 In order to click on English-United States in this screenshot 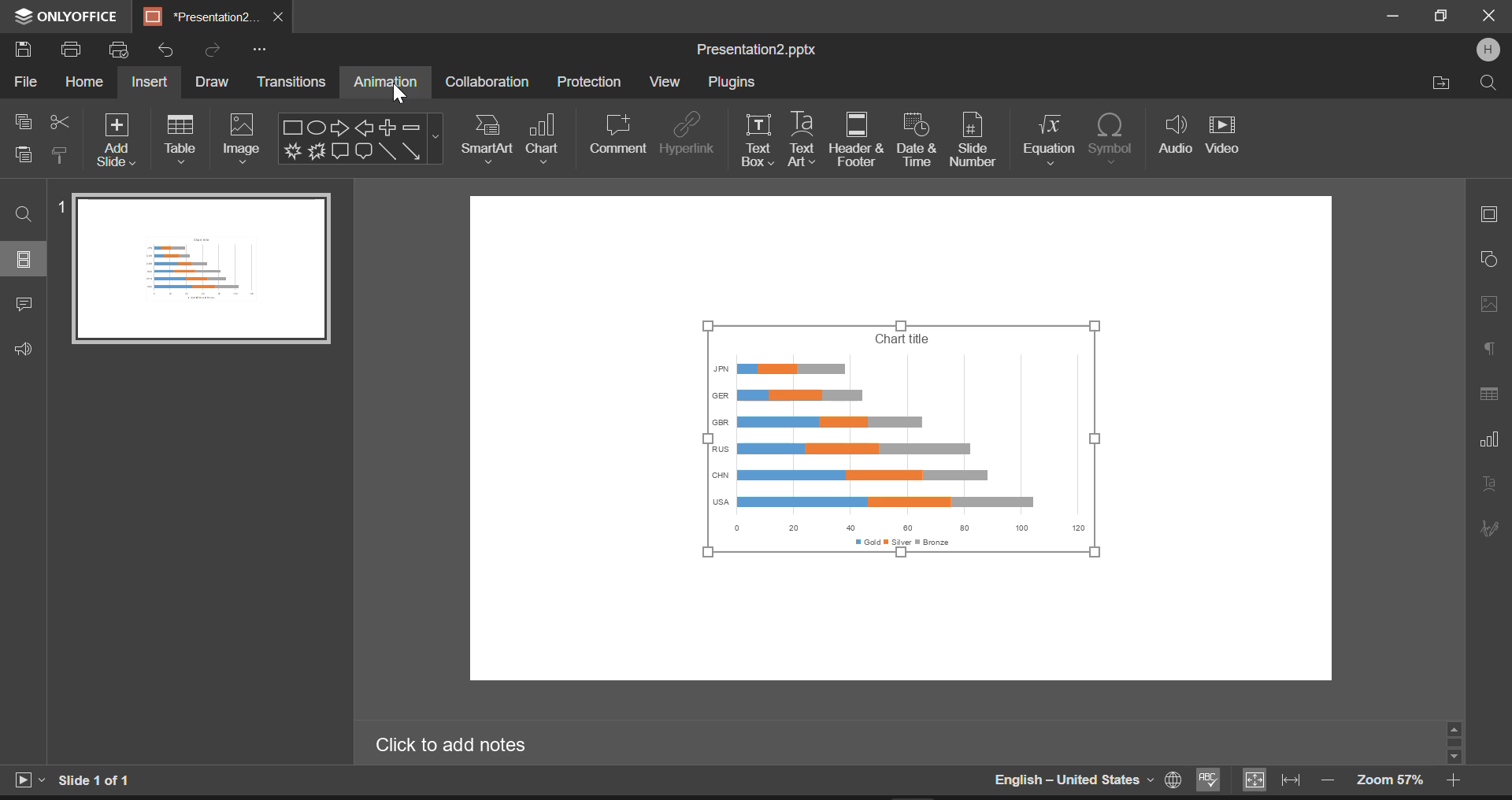, I will do `click(1086, 780)`.